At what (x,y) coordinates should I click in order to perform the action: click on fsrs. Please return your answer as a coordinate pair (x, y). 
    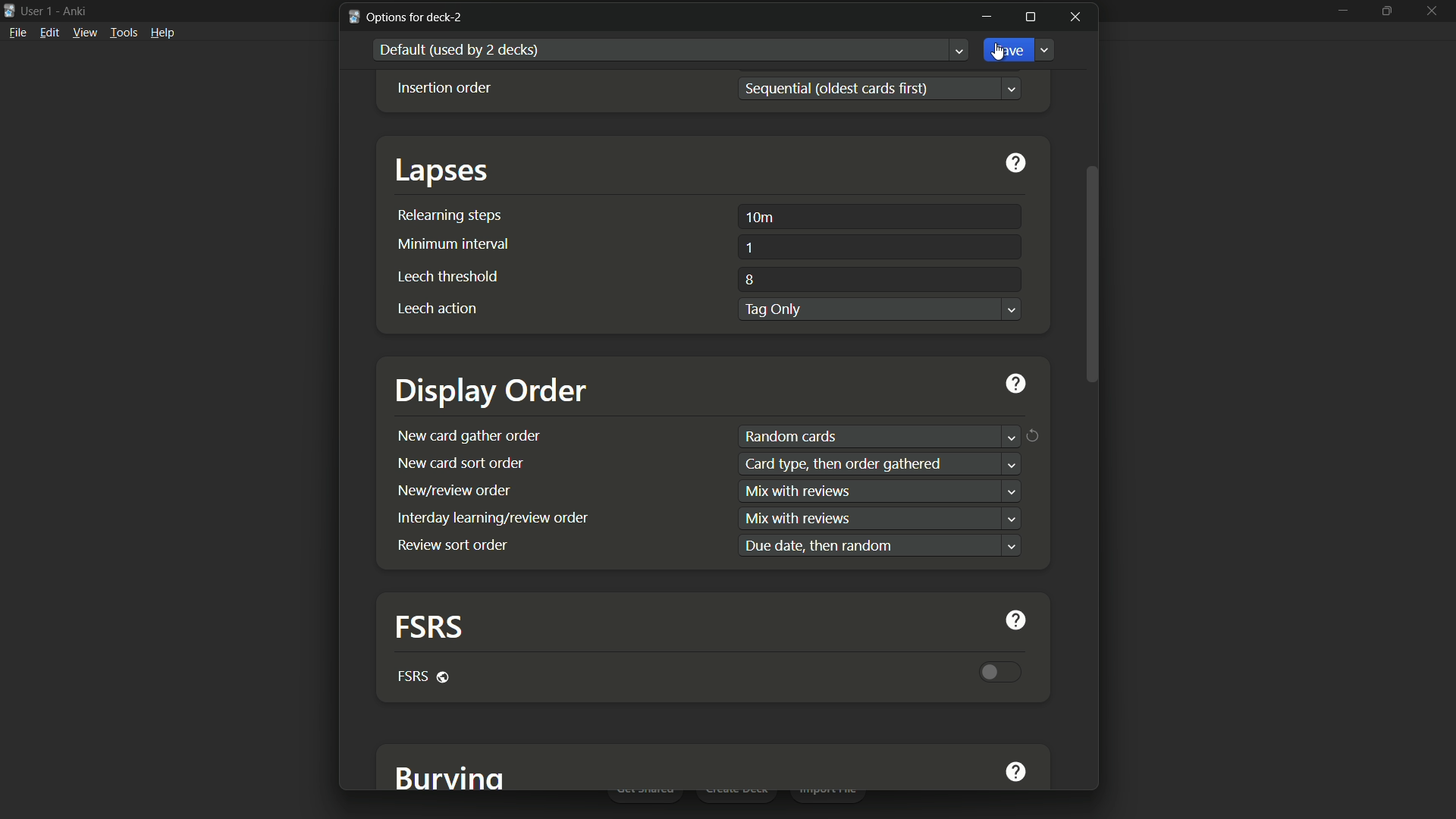
    Looking at the image, I should click on (425, 626).